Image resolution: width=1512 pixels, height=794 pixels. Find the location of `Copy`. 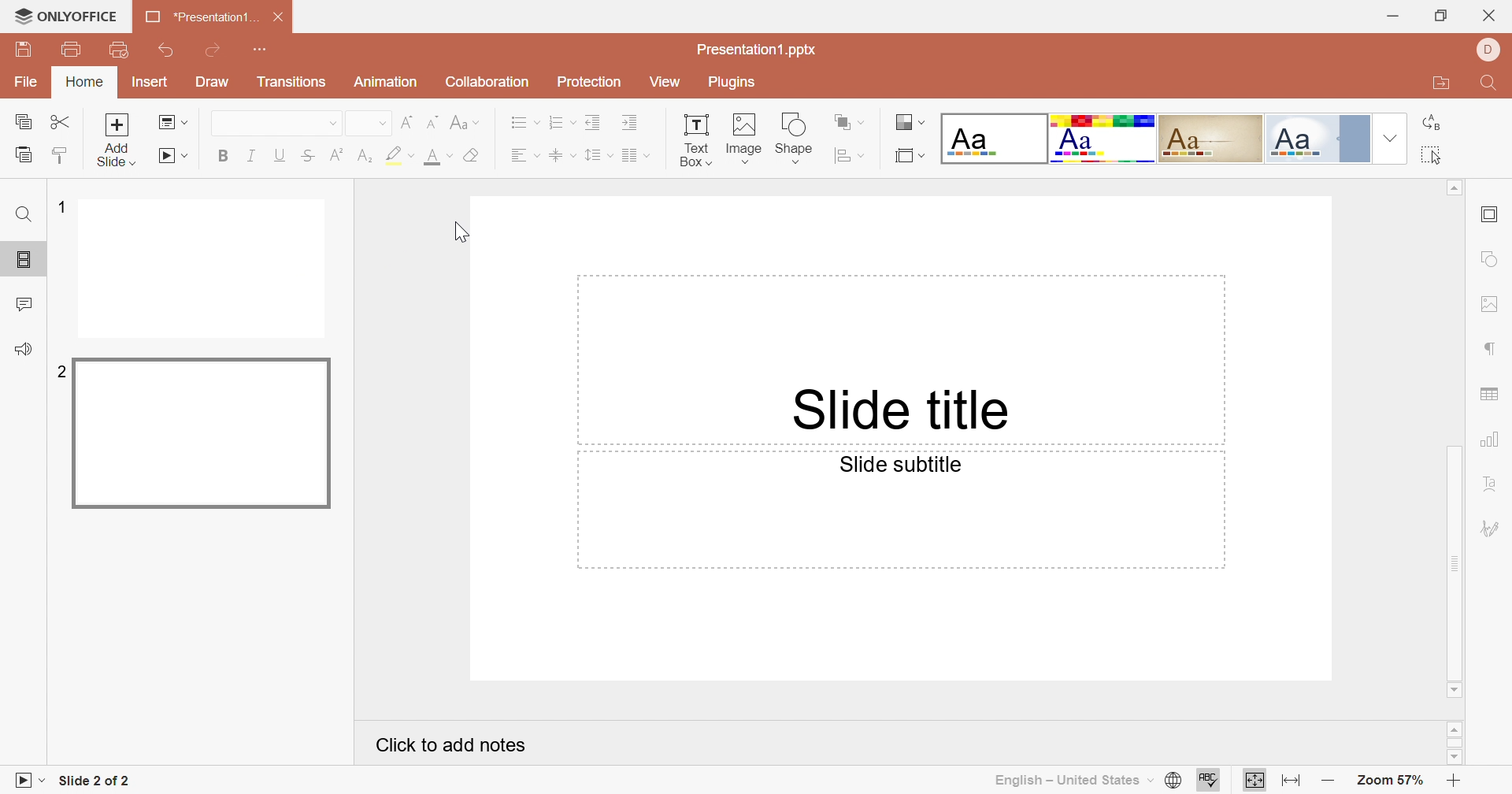

Copy is located at coordinates (22, 121).